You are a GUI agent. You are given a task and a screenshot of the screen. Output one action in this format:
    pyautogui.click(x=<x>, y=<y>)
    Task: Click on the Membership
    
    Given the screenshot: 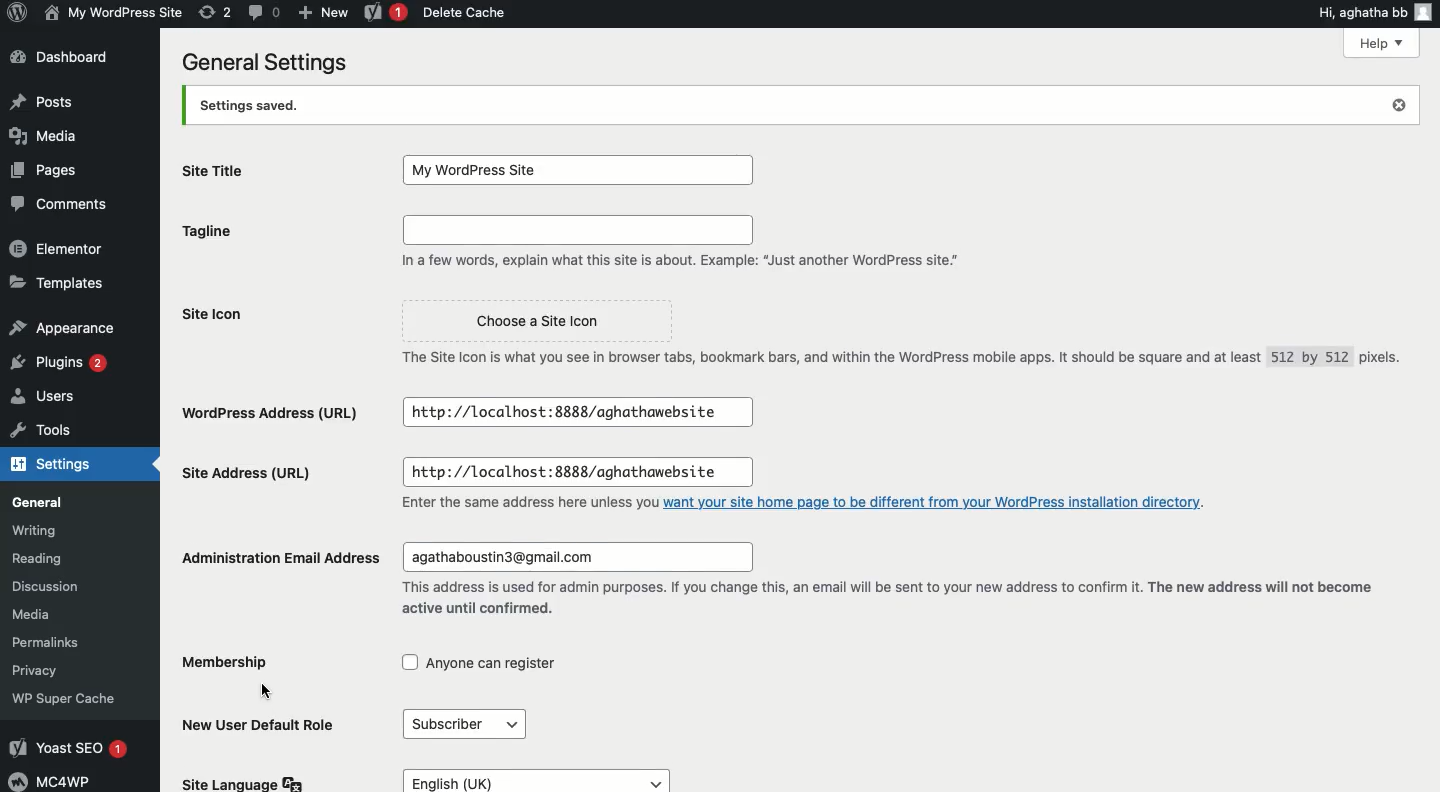 What is the action you would take?
    pyautogui.click(x=236, y=661)
    